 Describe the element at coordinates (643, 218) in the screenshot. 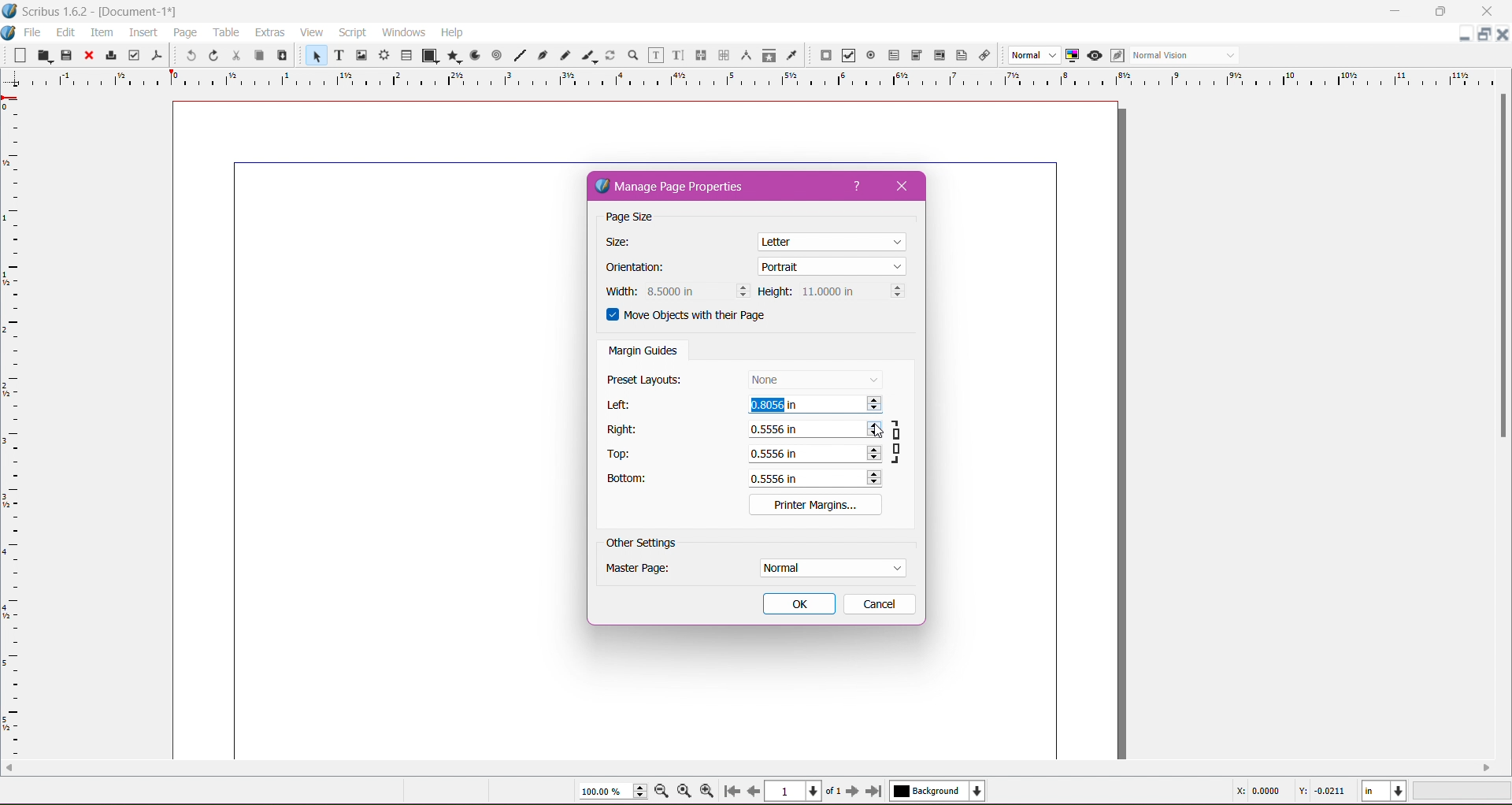

I see `Page Size` at that location.